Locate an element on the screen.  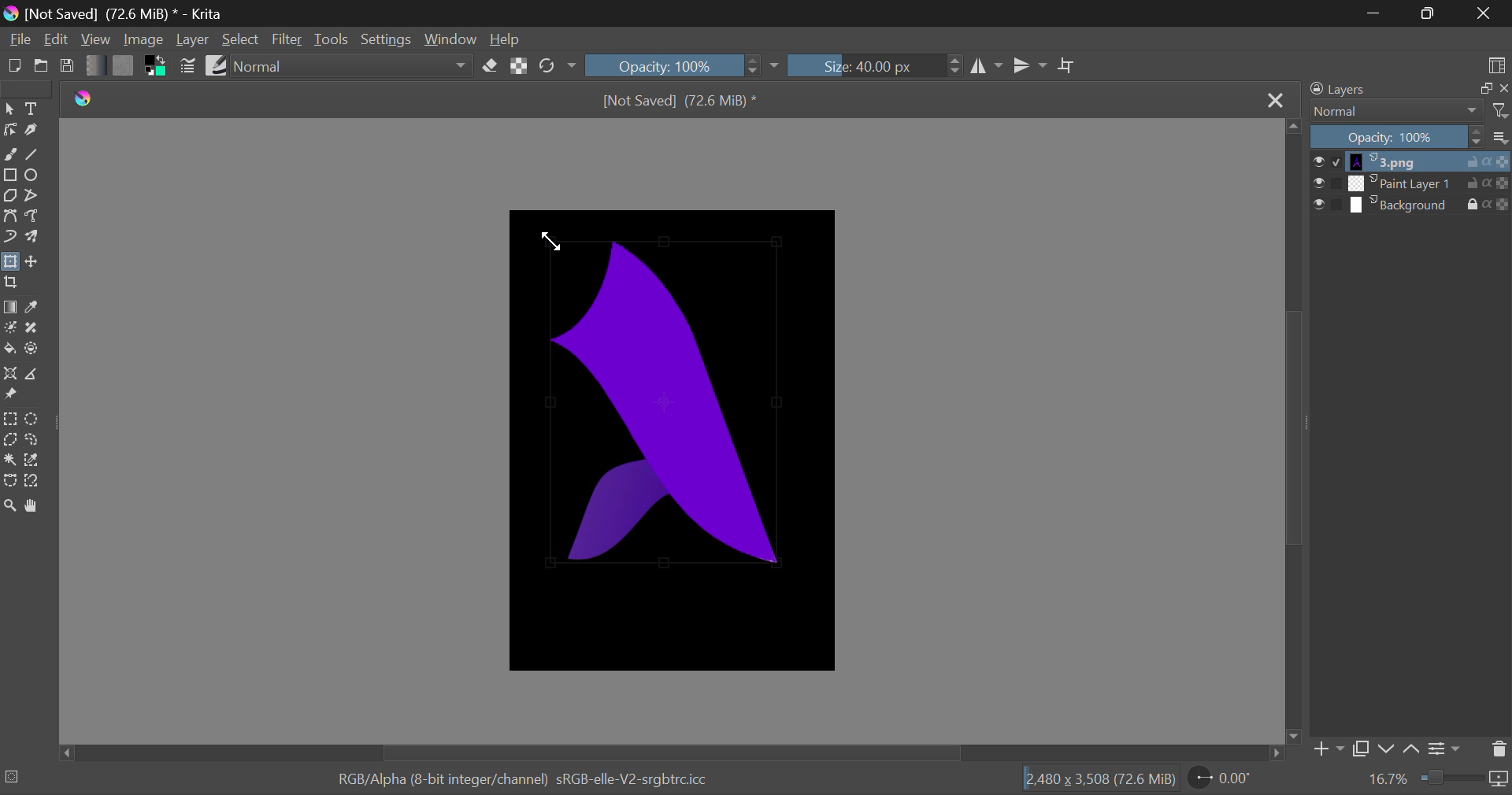
Brush Presets is located at coordinates (216, 65).